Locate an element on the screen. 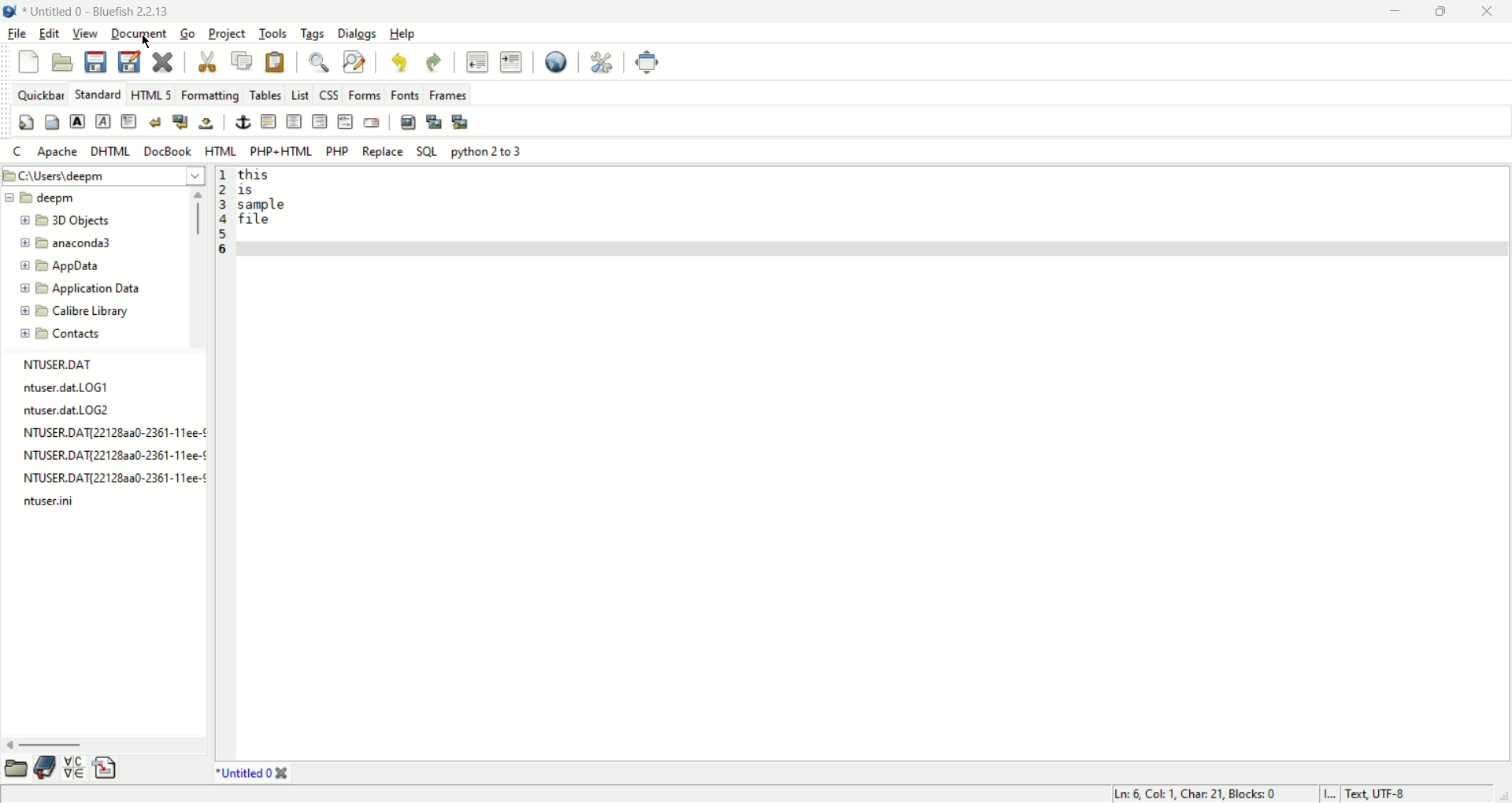 Image resolution: width=1512 pixels, height=803 pixels. tags is located at coordinates (313, 33).